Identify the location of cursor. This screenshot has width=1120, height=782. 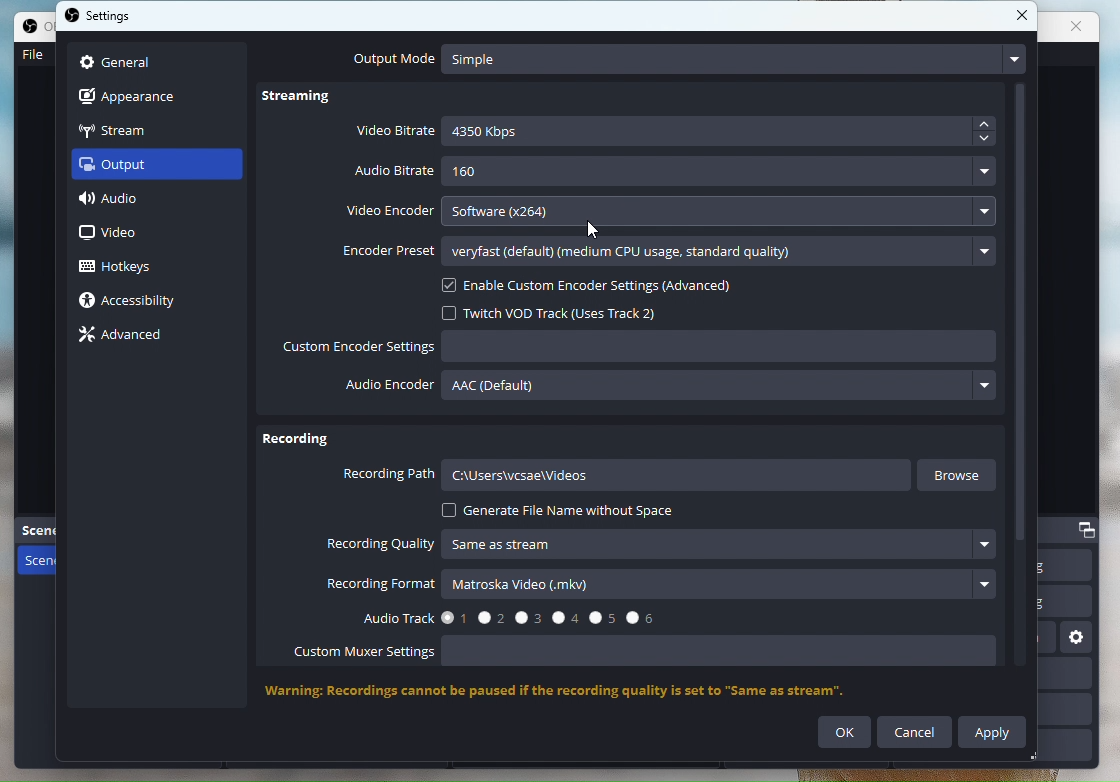
(592, 229).